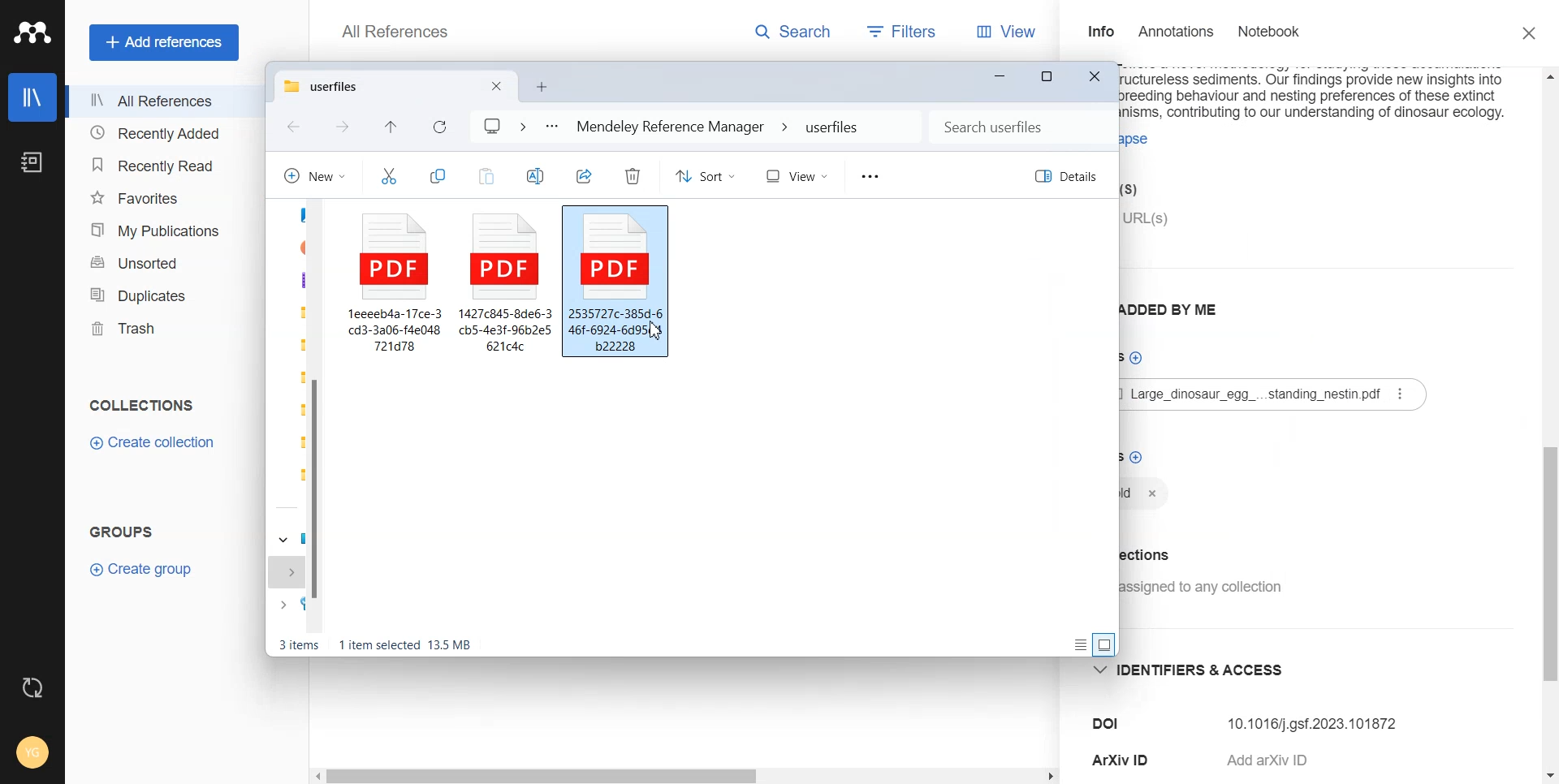 This screenshot has width=1559, height=784. I want to click on New, so click(315, 174).